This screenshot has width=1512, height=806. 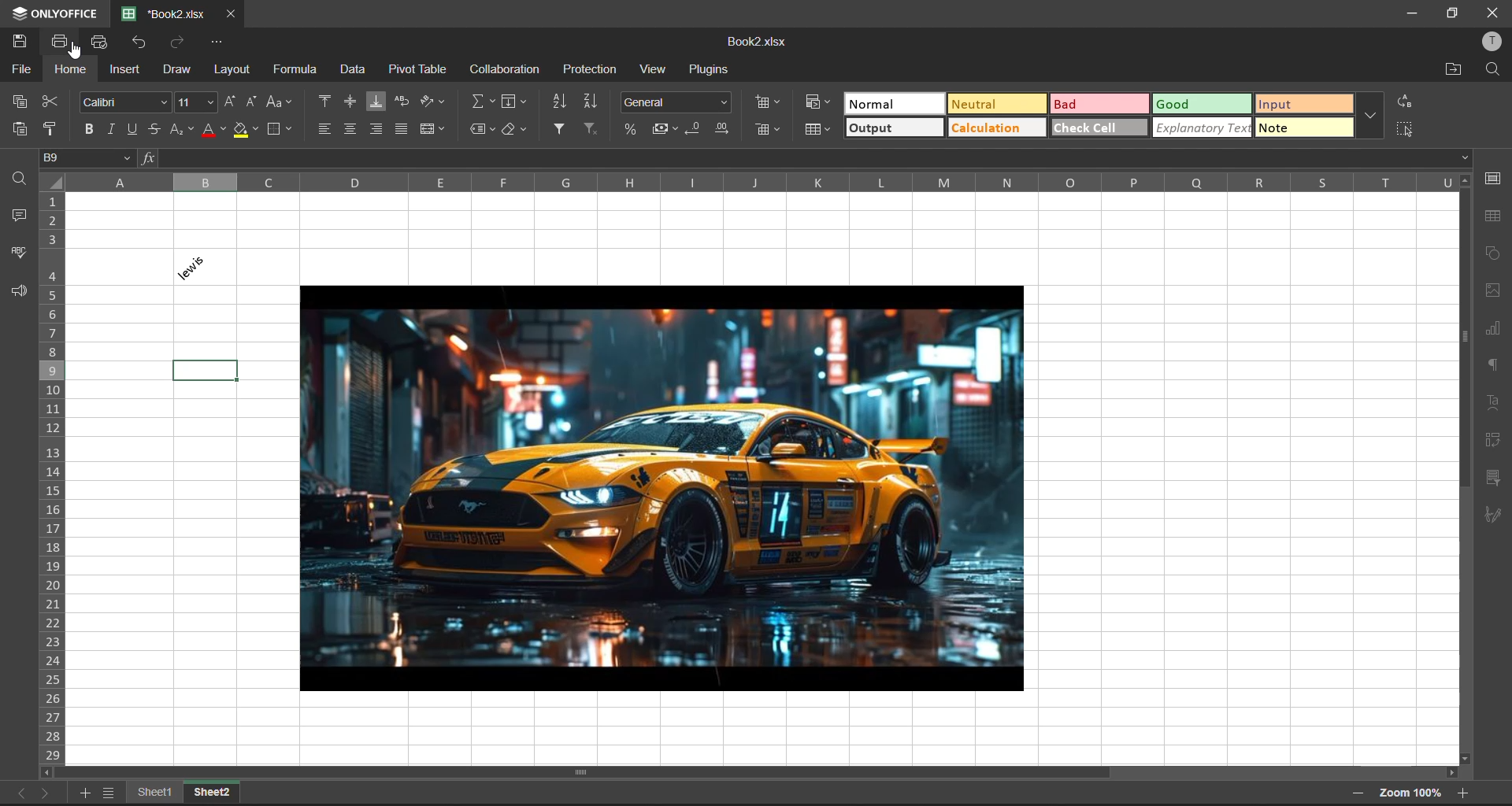 What do you see at coordinates (1496, 70) in the screenshot?
I see `find` at bounding box center [1496, 70].